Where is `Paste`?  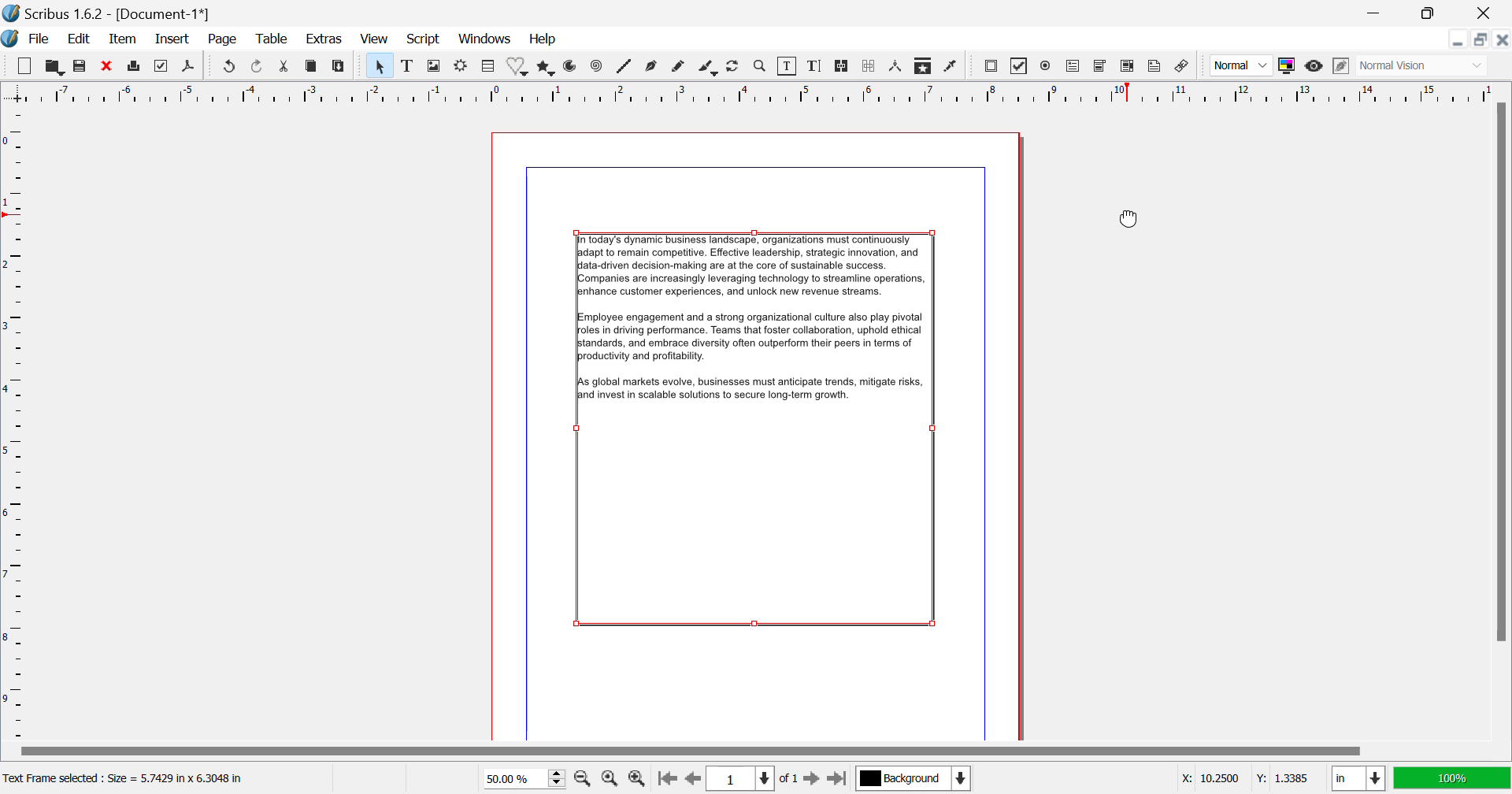
Paste is located at coordinates (339, 66).